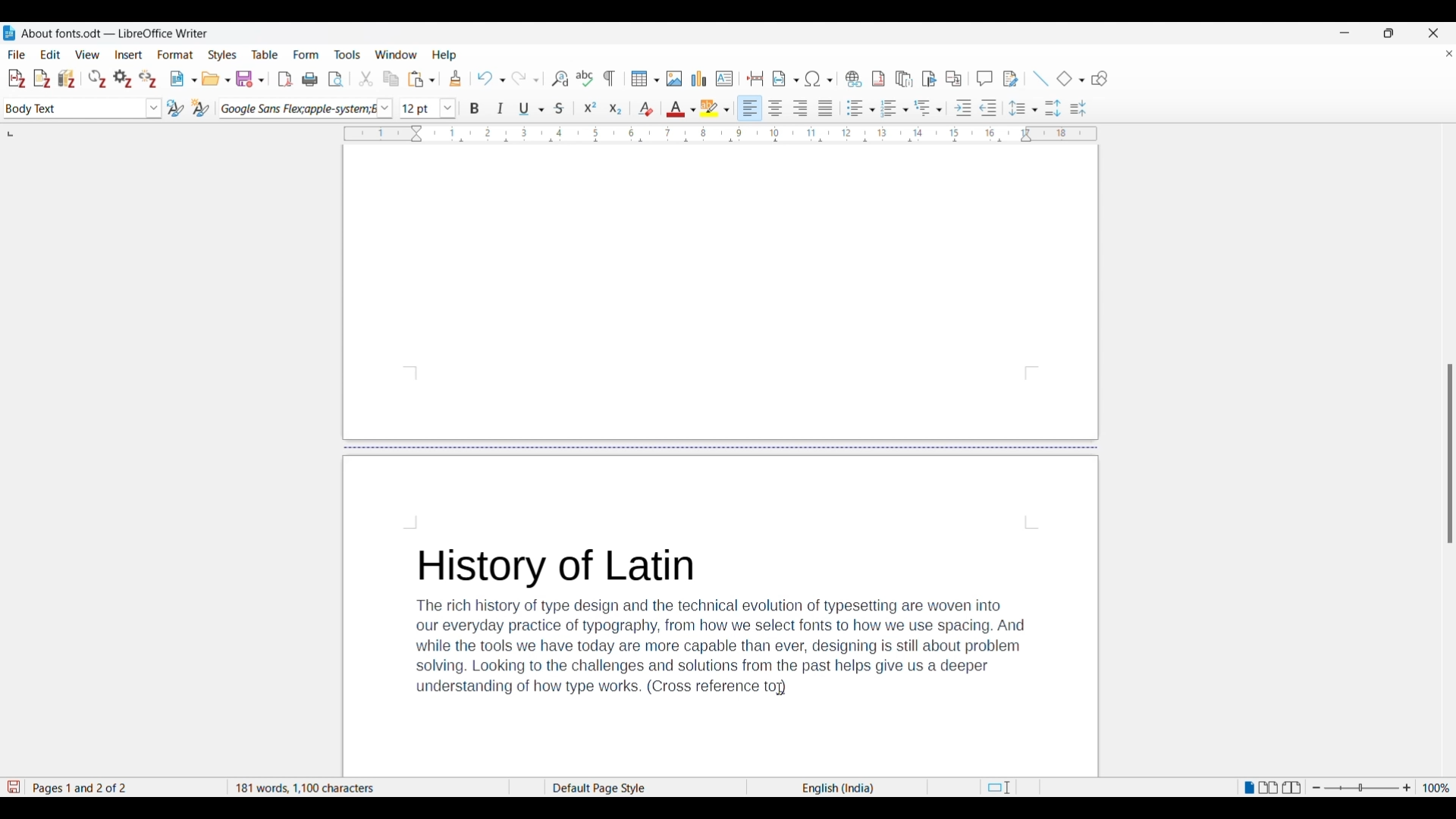 Image resolution: width=1456 pixels, height=819 pixels. I want to click on Table menu, so click(265, 55).